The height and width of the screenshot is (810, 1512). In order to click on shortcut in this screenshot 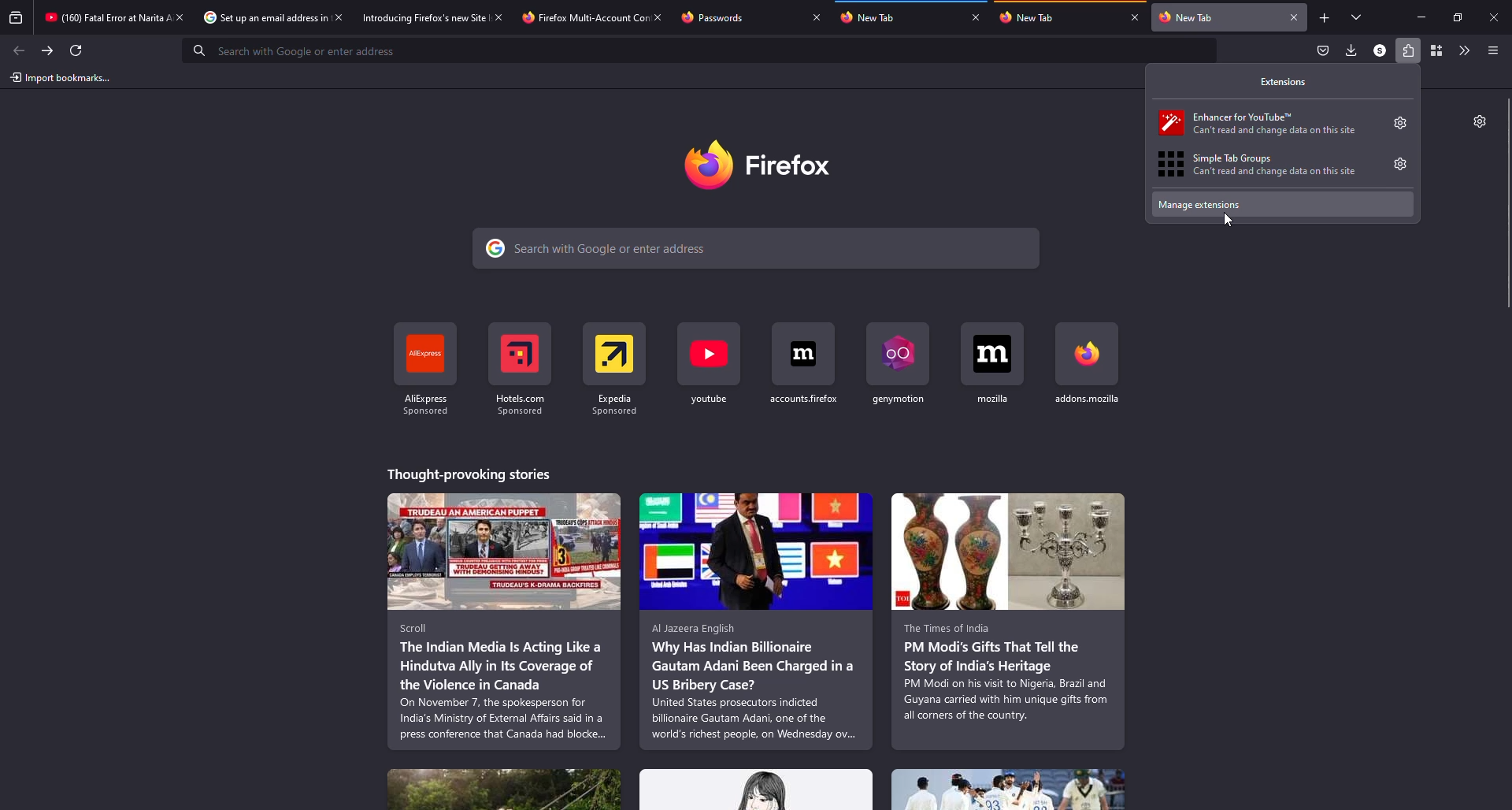, I will do `click(991, 374)`.